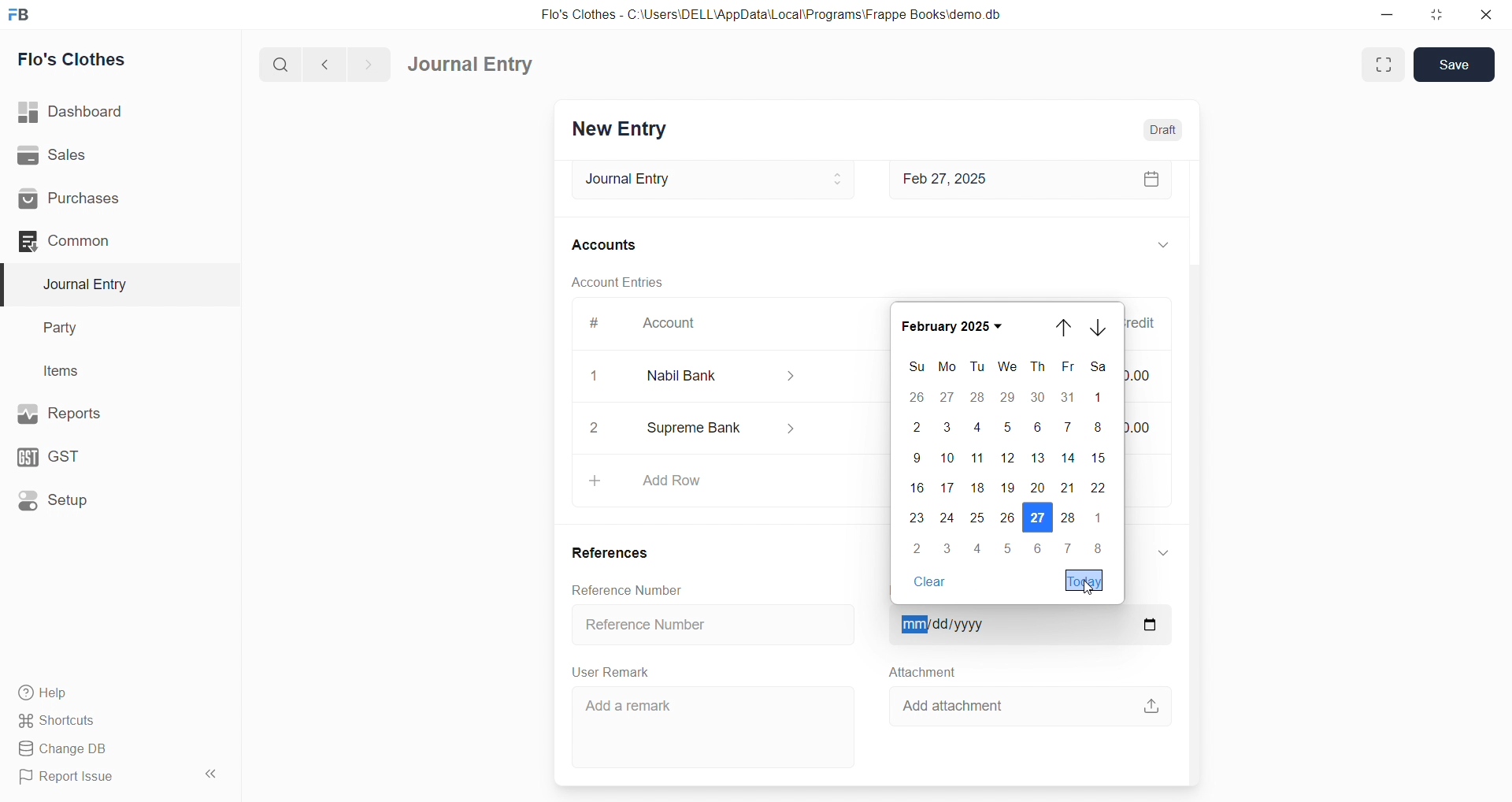 This screenshot has width=1512, height=802. I want to click on 6, so click(1040, 548).